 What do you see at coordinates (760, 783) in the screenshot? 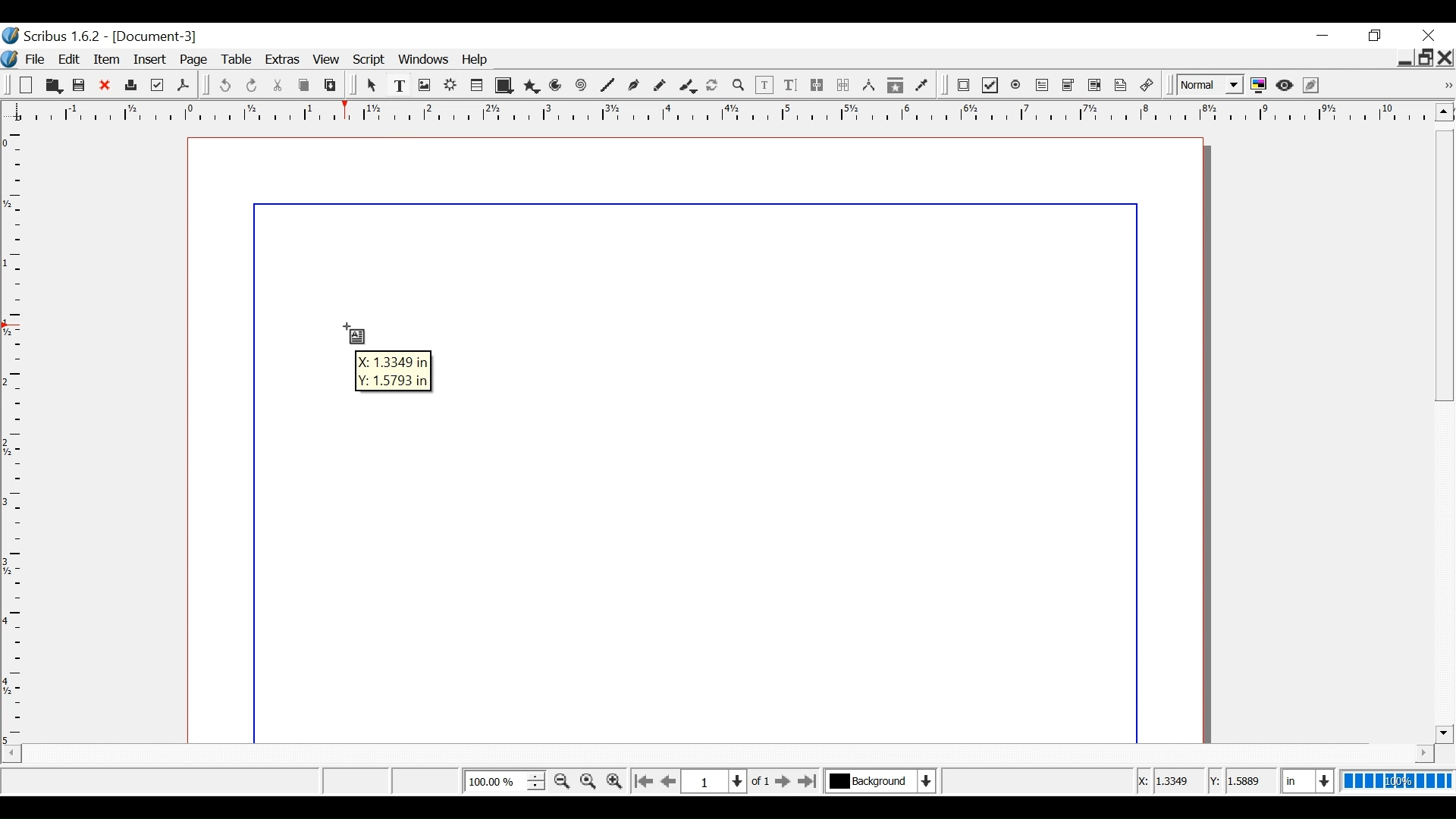
I see `of 1` at bounding box center [760, 783].